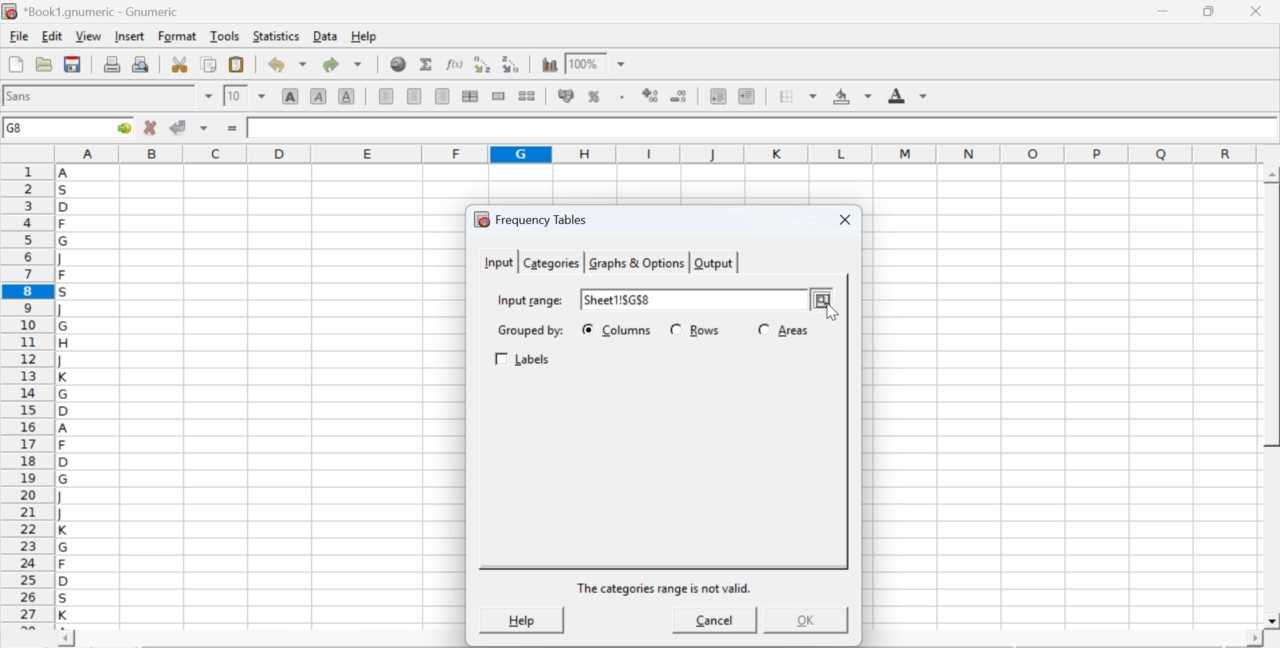 This screenshot has height=648, width=1280. Describe the element at coordinates (529, 331) in the screenshot. I see `grouped by:` at that location.